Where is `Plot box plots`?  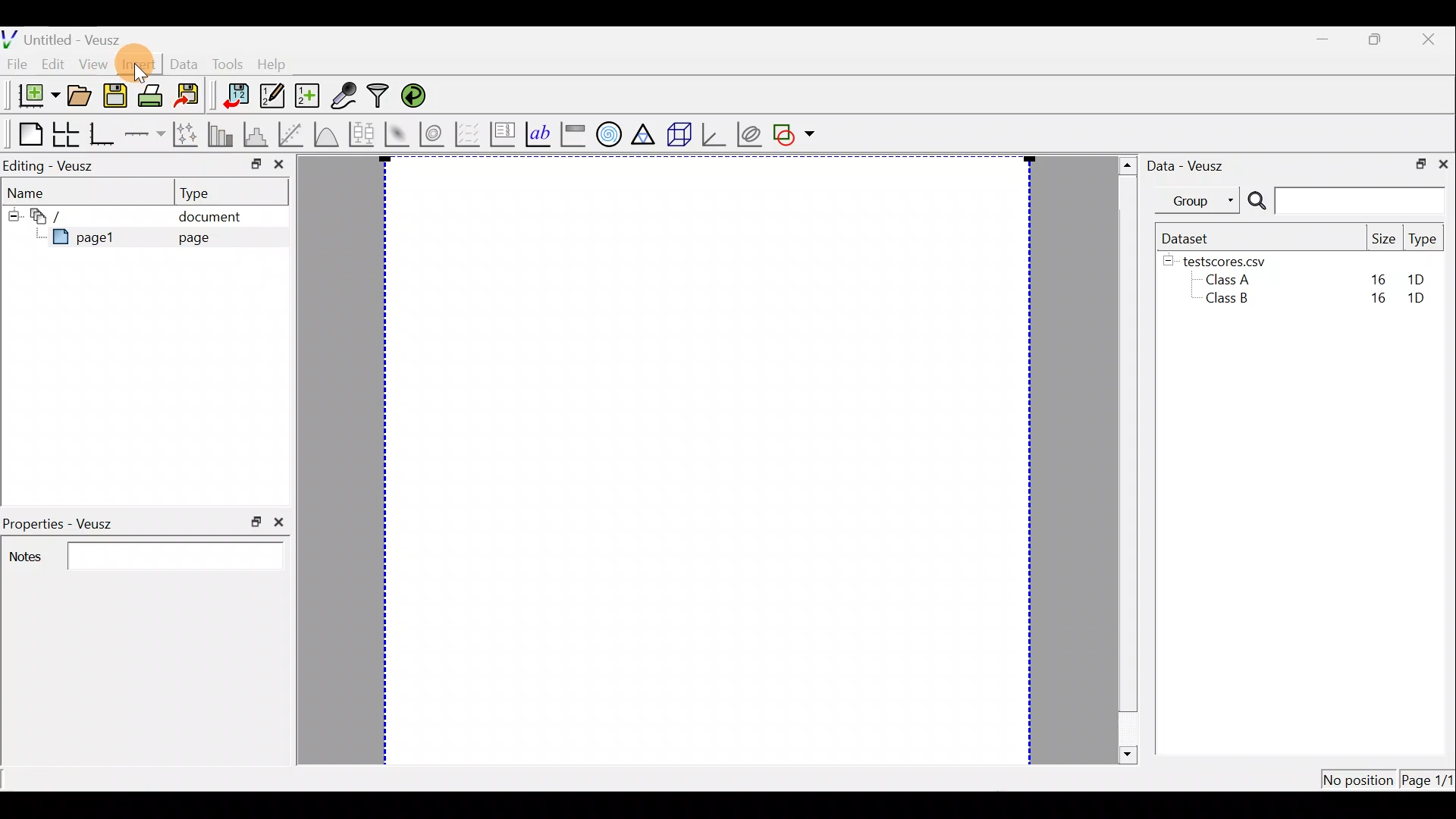
Plot box plots is located at coordinates (360, 133).